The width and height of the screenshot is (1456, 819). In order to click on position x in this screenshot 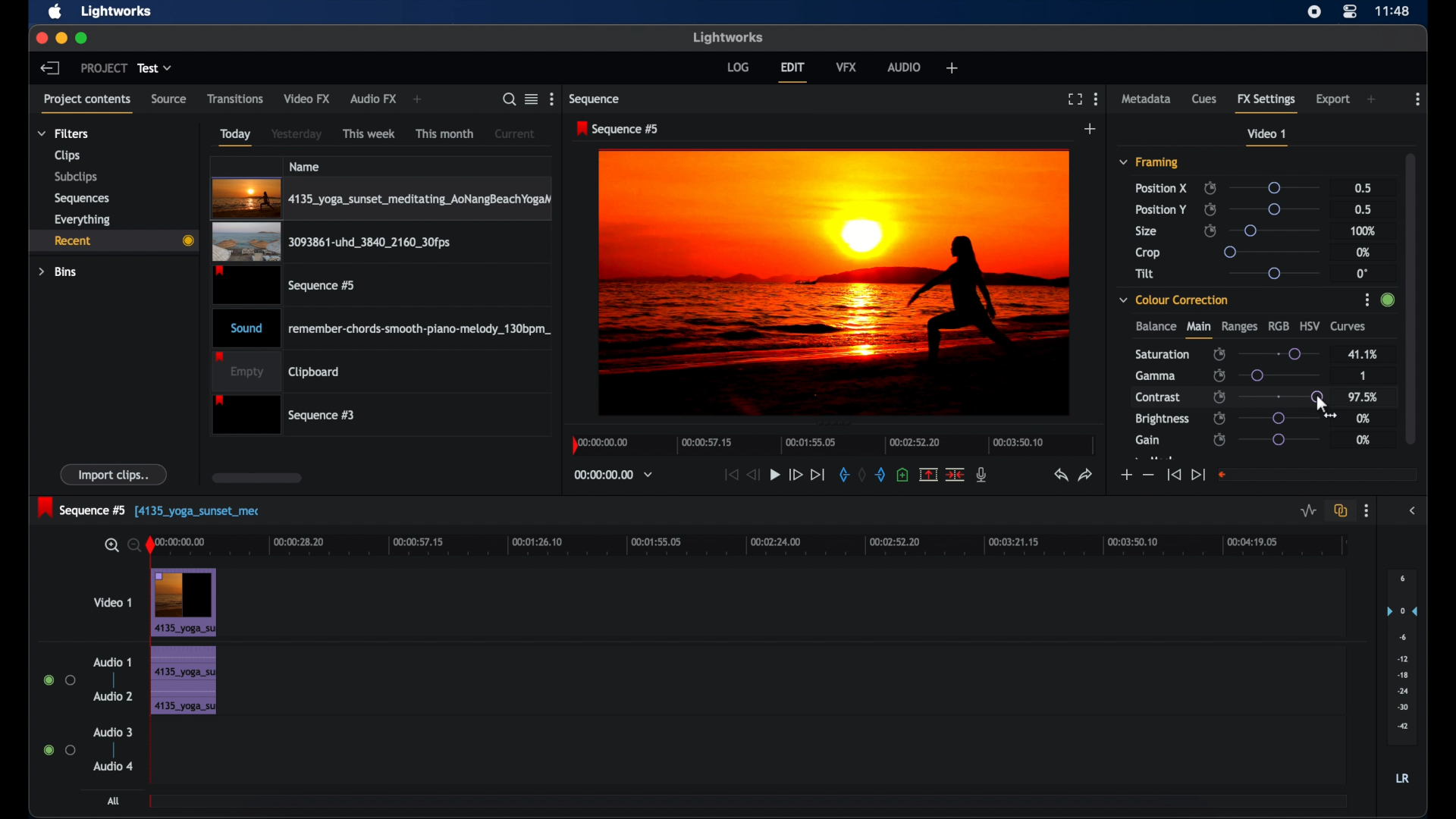, I will do `click(1161, 187)`.